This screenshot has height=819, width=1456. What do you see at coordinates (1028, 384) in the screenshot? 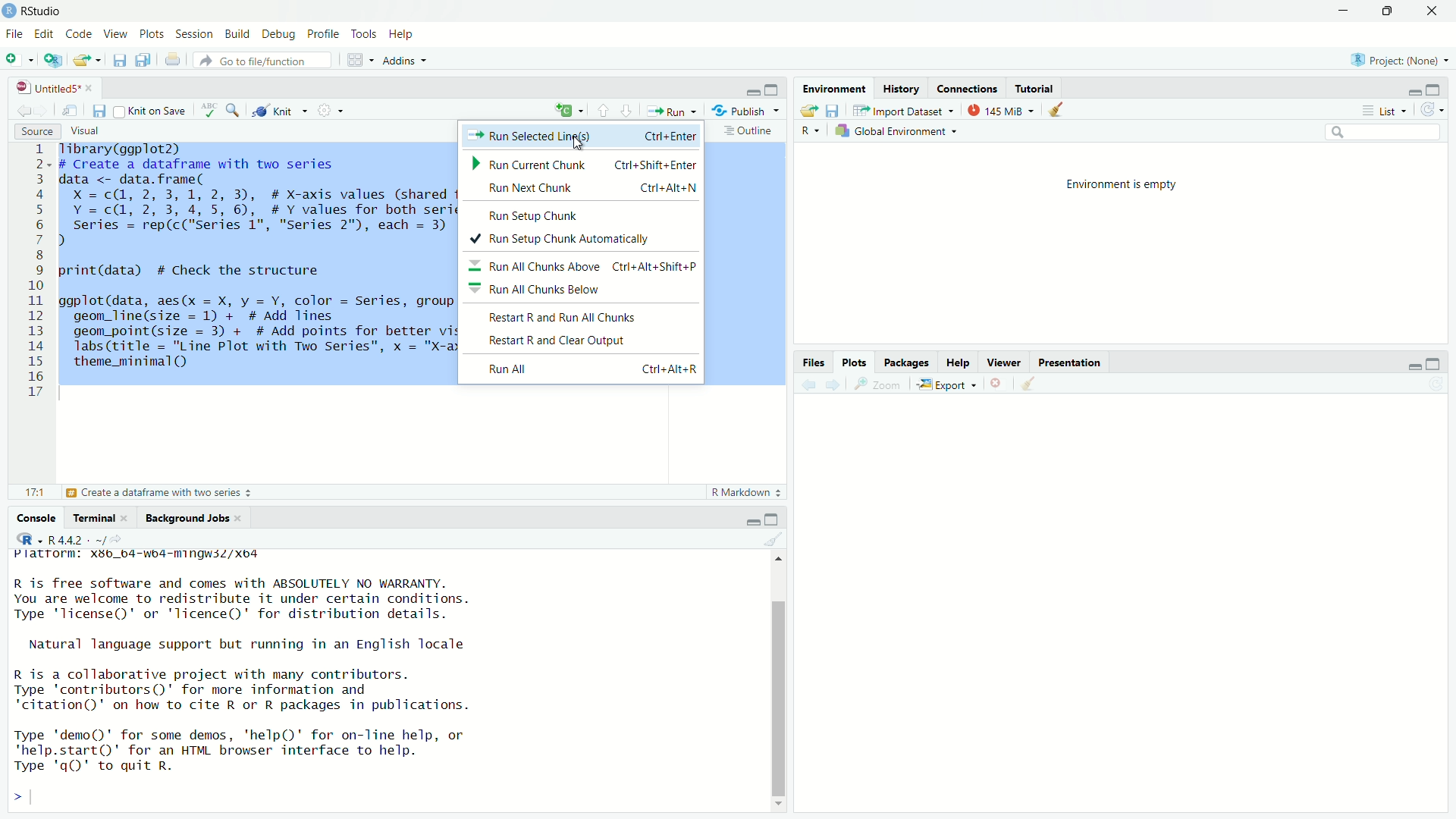
I see `Go back to the previous source selection` at bounding box center [1028, 384].